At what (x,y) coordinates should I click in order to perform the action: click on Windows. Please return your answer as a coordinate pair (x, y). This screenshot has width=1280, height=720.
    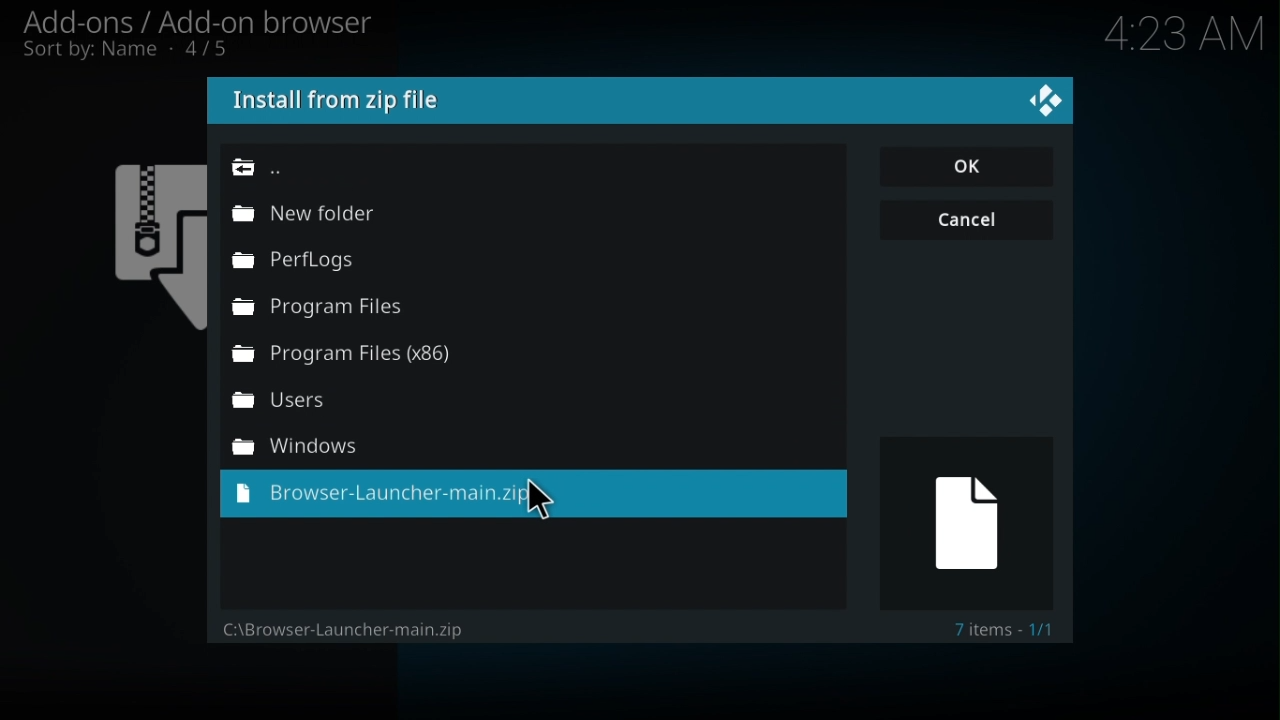
    Looking at the image, I should click on (303, 449).